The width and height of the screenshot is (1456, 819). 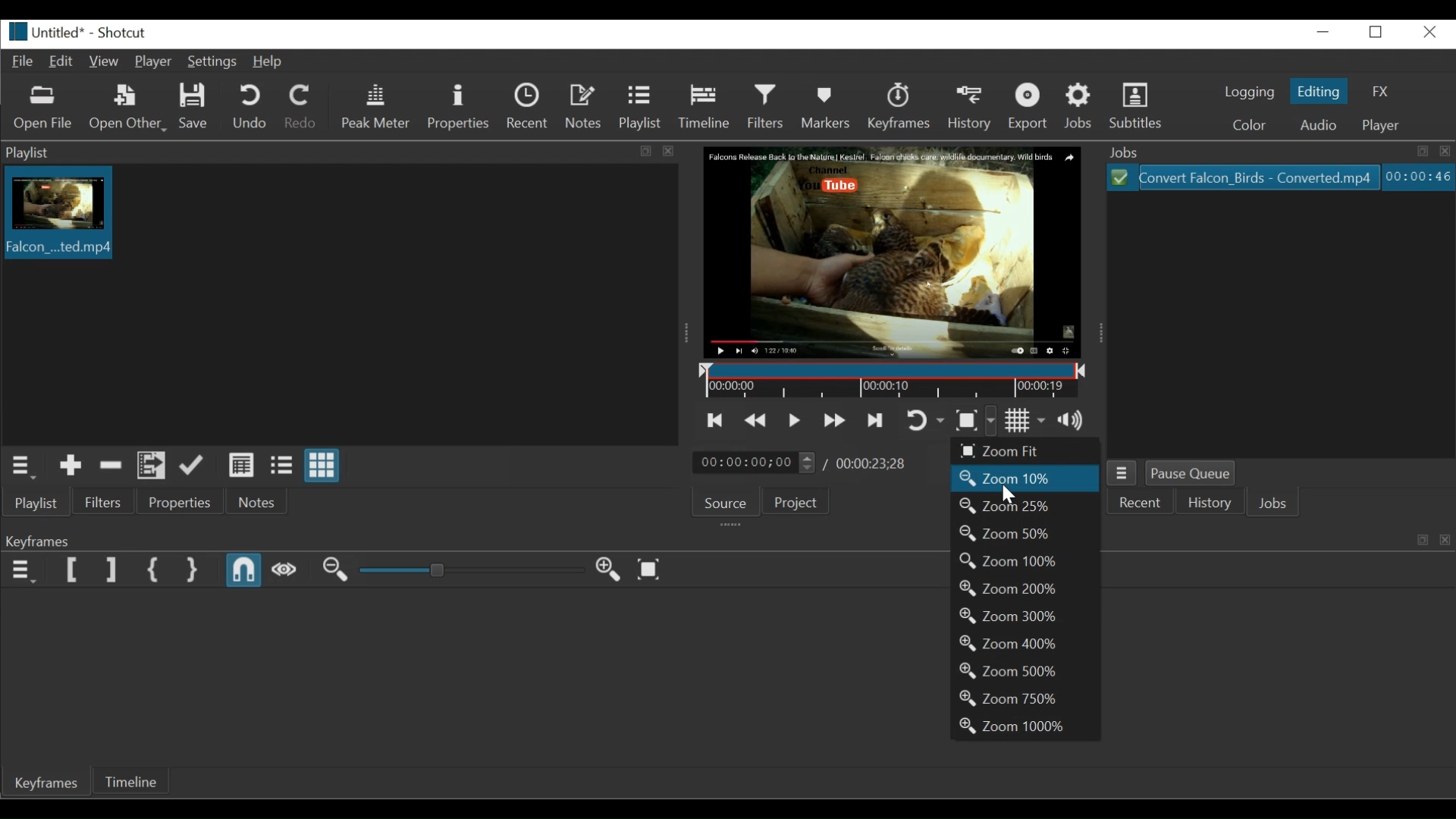 What do you see at coordinates (607, 571) in the screenshot?
I see `Zoom out Keyframe` at bounding box center [607, 571].